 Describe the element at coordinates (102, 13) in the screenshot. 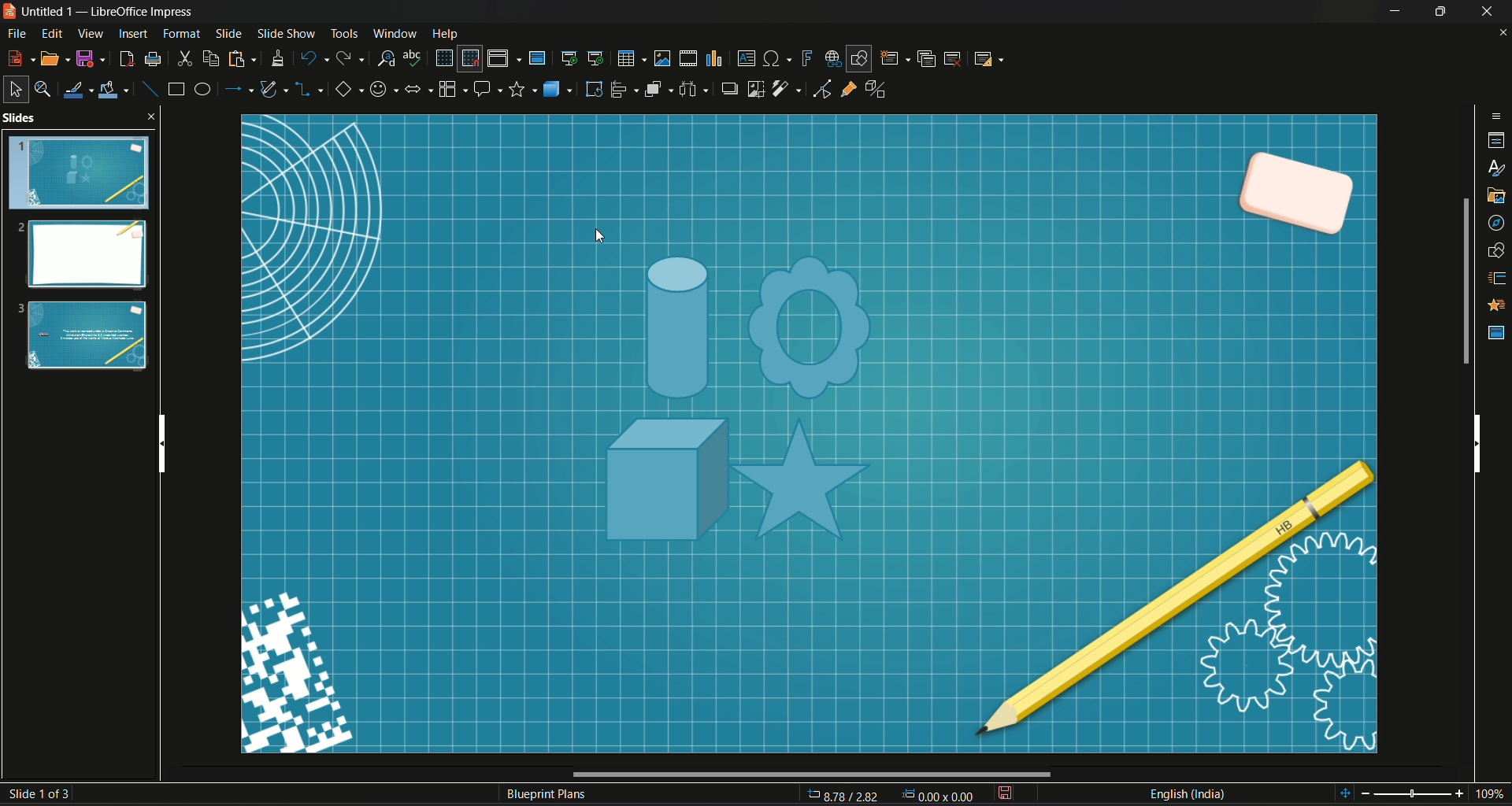

I see `Logo and name` at that location.